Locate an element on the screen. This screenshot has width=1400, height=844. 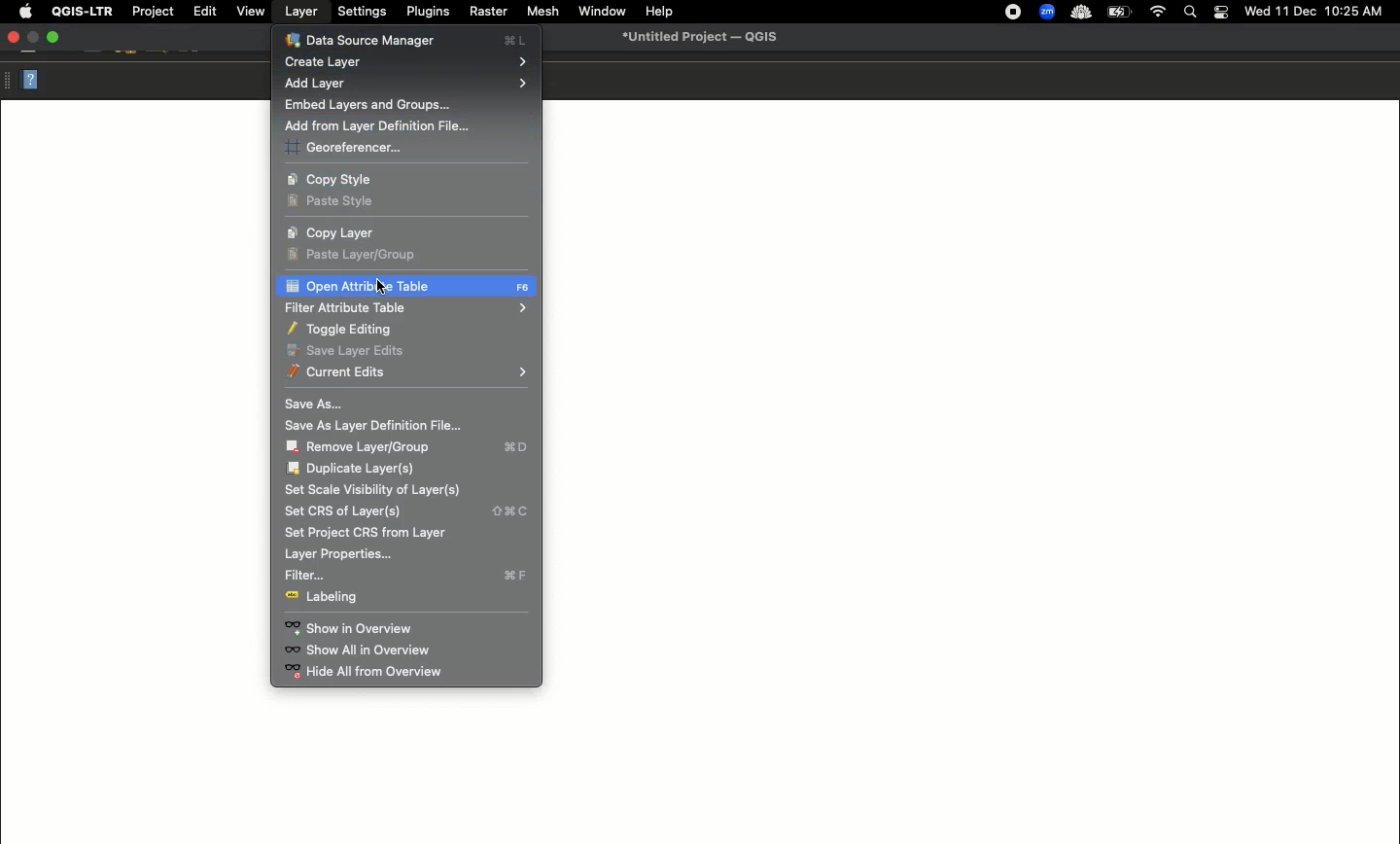
Help is located at coordinates (30, 79).